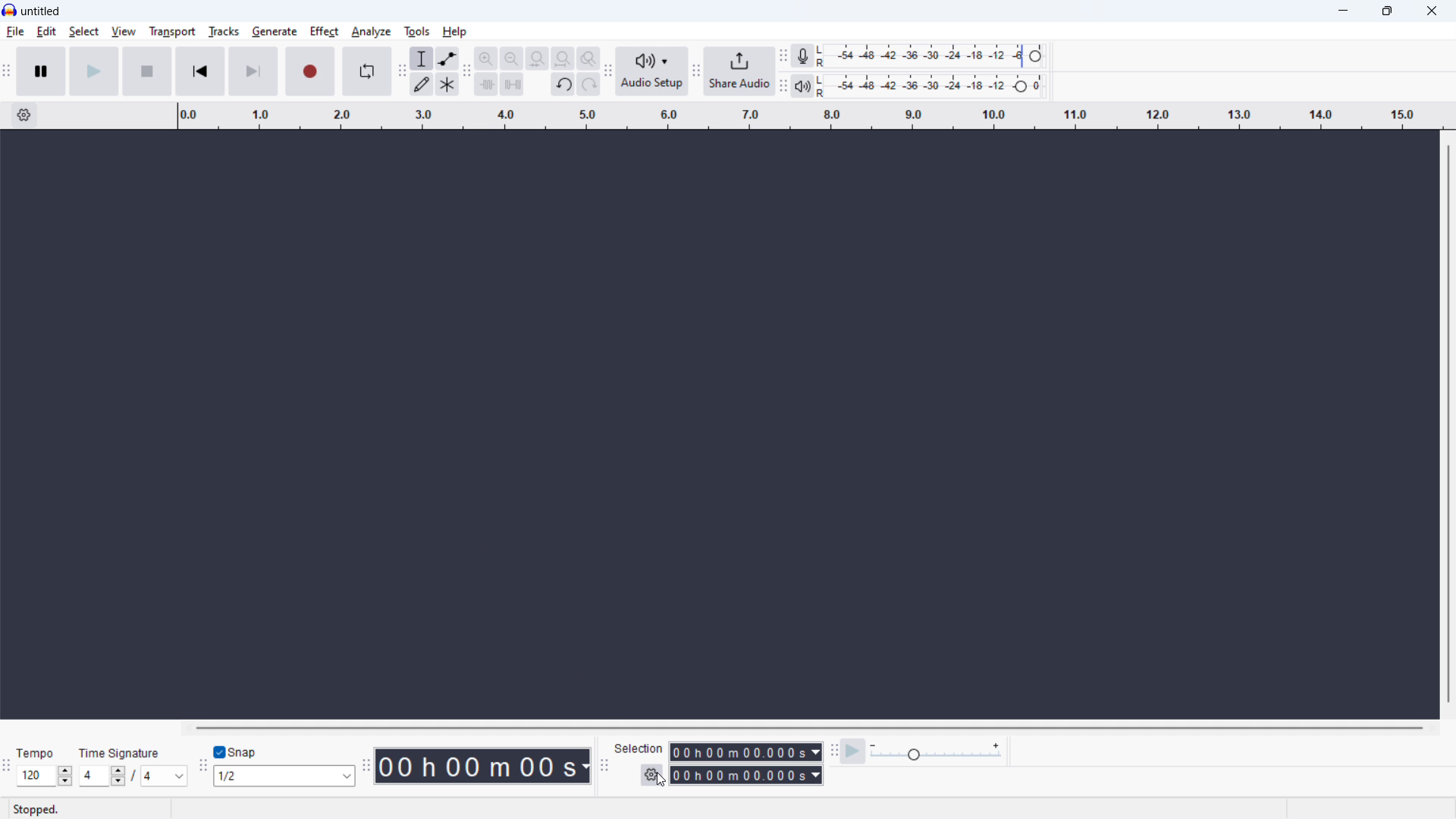 The image size is (1456, 819). What do you see at coordinates (201, 767) in the screenshot?
I see `snapping toolbar` at bounding box center [201, 767].